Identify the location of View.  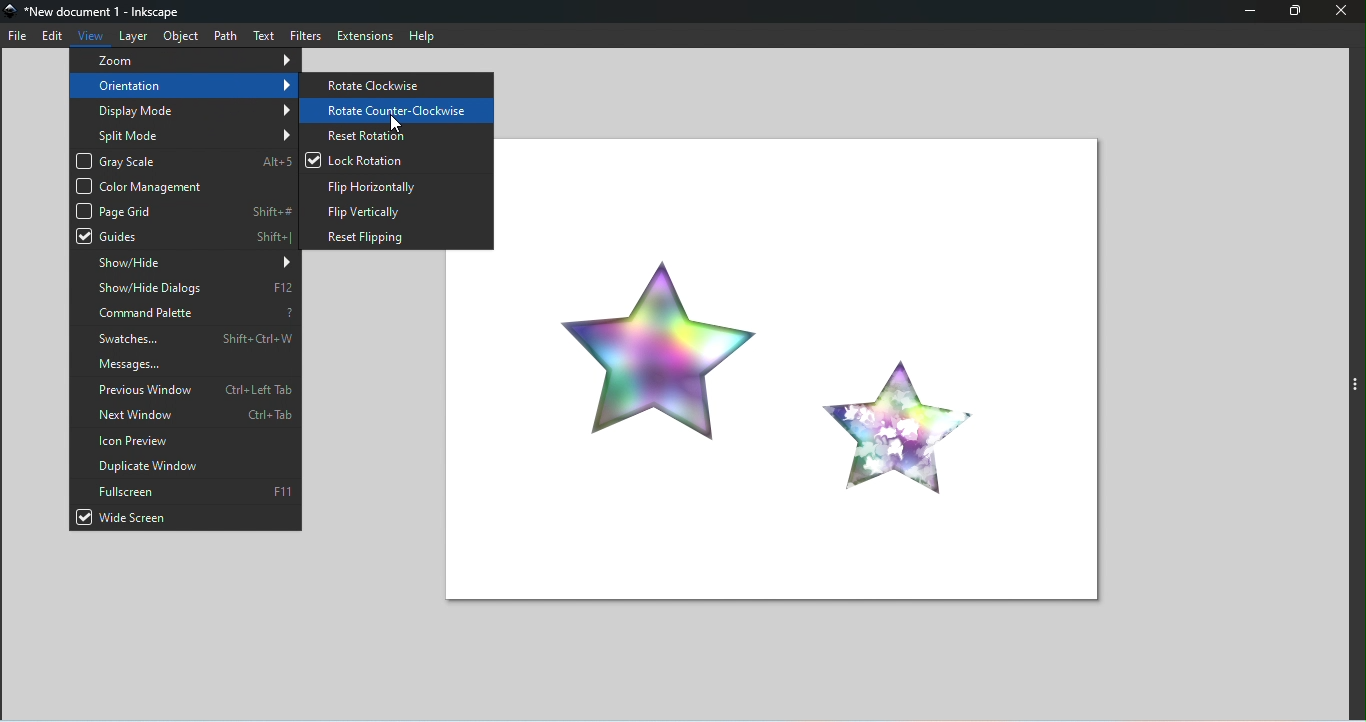
(90, 35).